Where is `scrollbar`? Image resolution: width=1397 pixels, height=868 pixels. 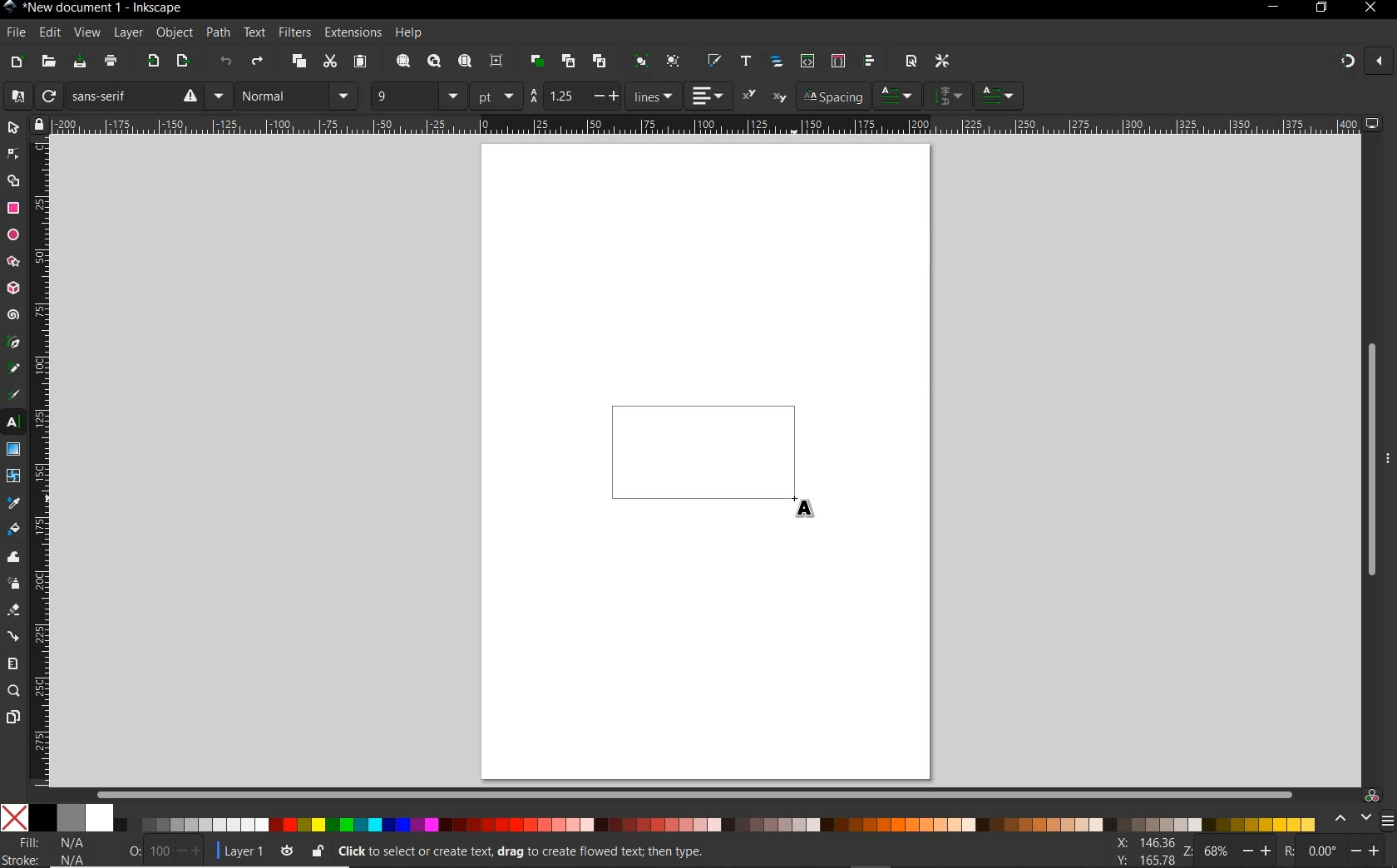 scrollbar is located at coordinates (1370, 461).